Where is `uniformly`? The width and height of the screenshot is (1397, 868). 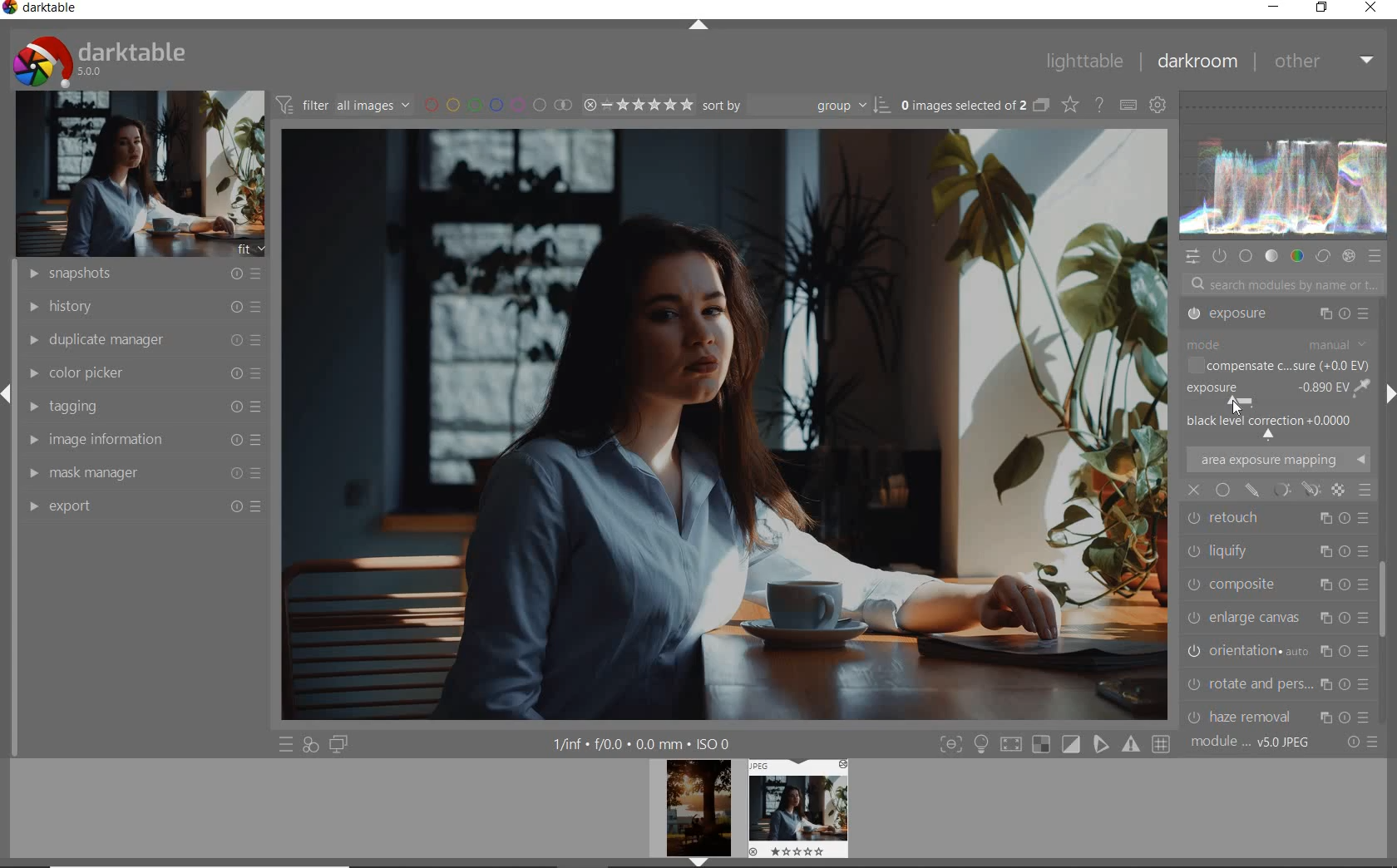 uniformly is located at coordinates (1222, 491).